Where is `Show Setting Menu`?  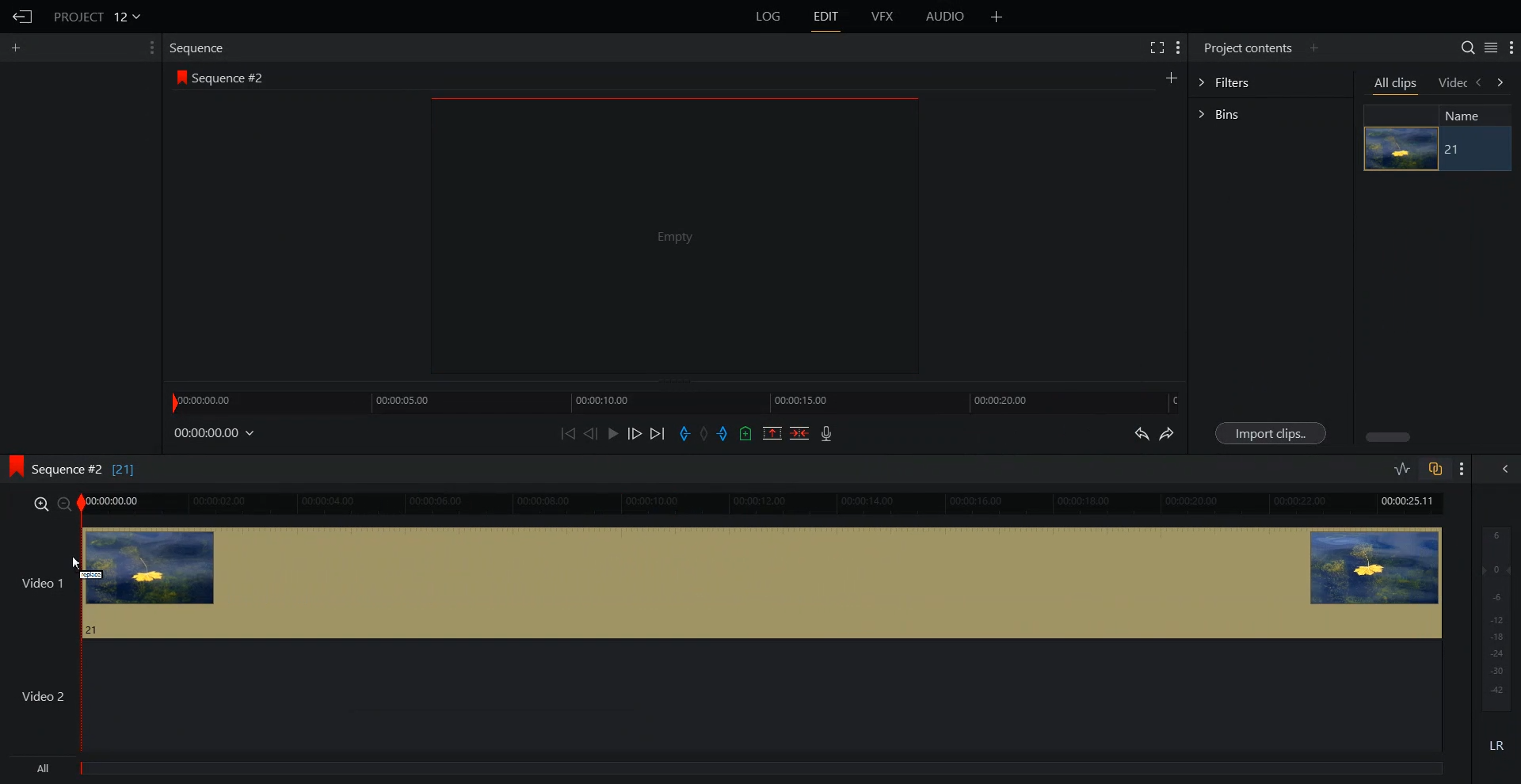 Show Setting Menu is located at coordinates (1178, 48).